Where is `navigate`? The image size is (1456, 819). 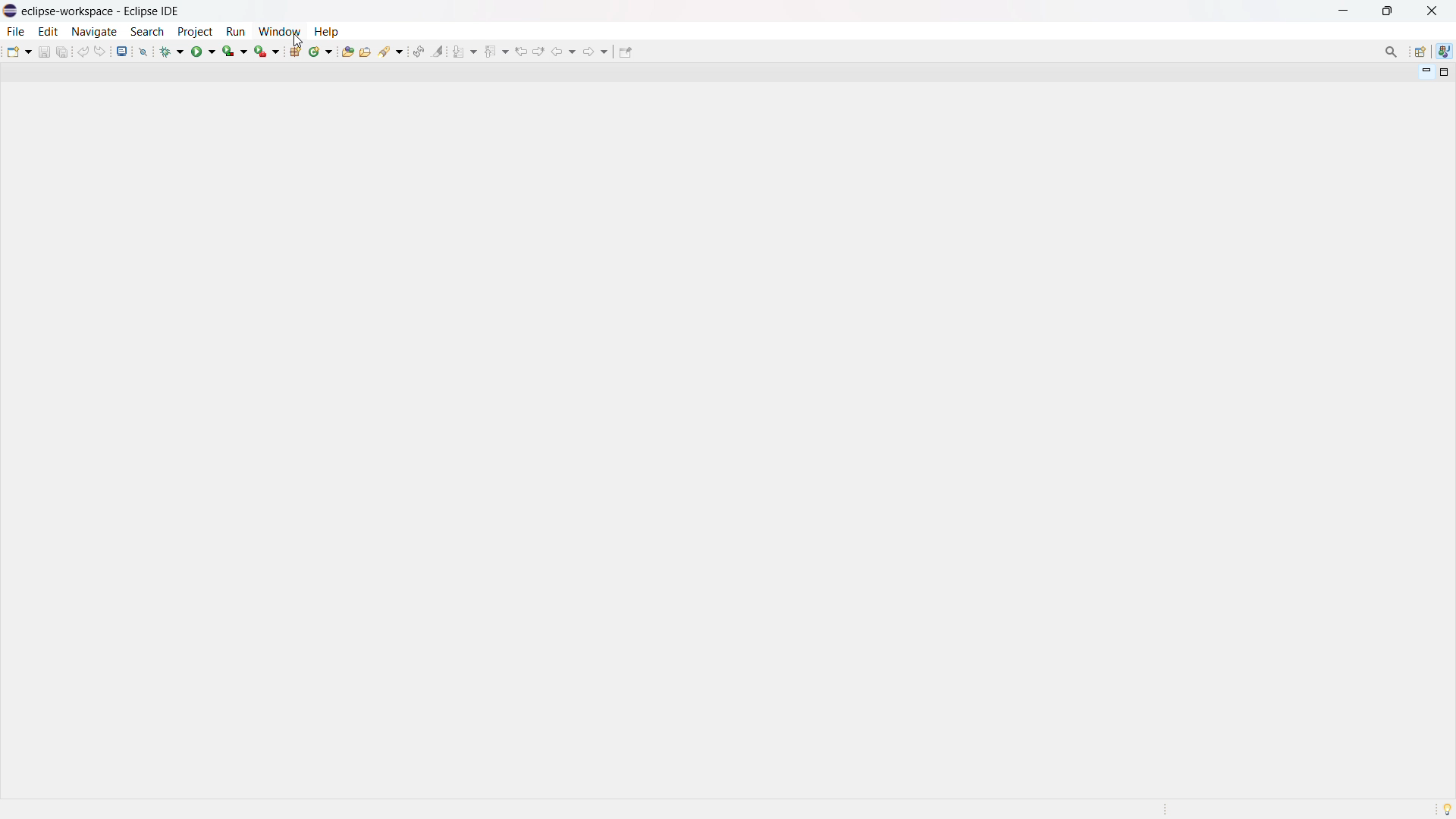
navigate is located at coordinates (93, 31).